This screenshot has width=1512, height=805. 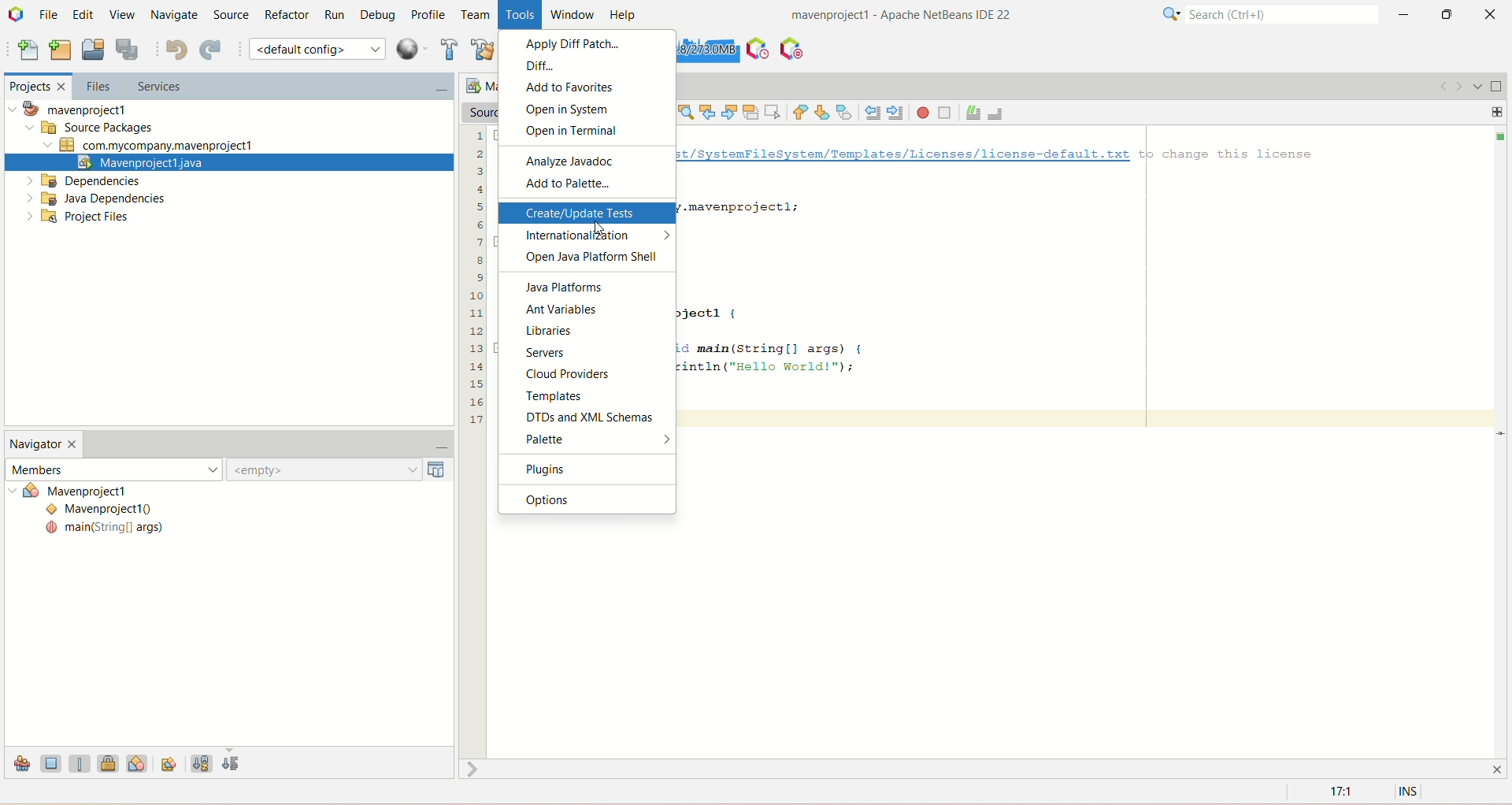 What do you see at coordinates (341, 469) in the screenshot?
I see `empty` at bounding box center [341, 469].